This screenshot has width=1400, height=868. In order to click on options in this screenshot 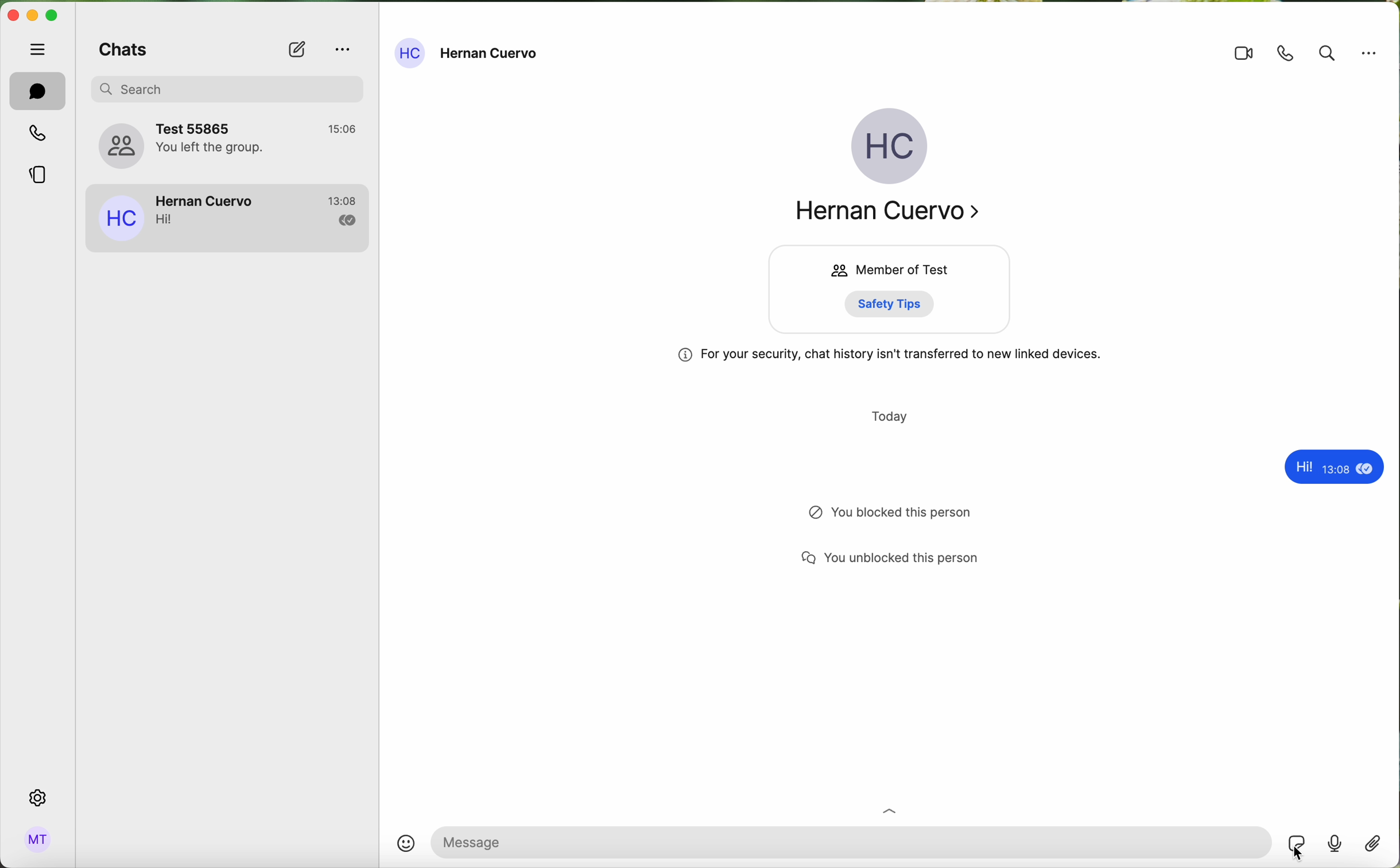, I will do `click(1370, 53)`.